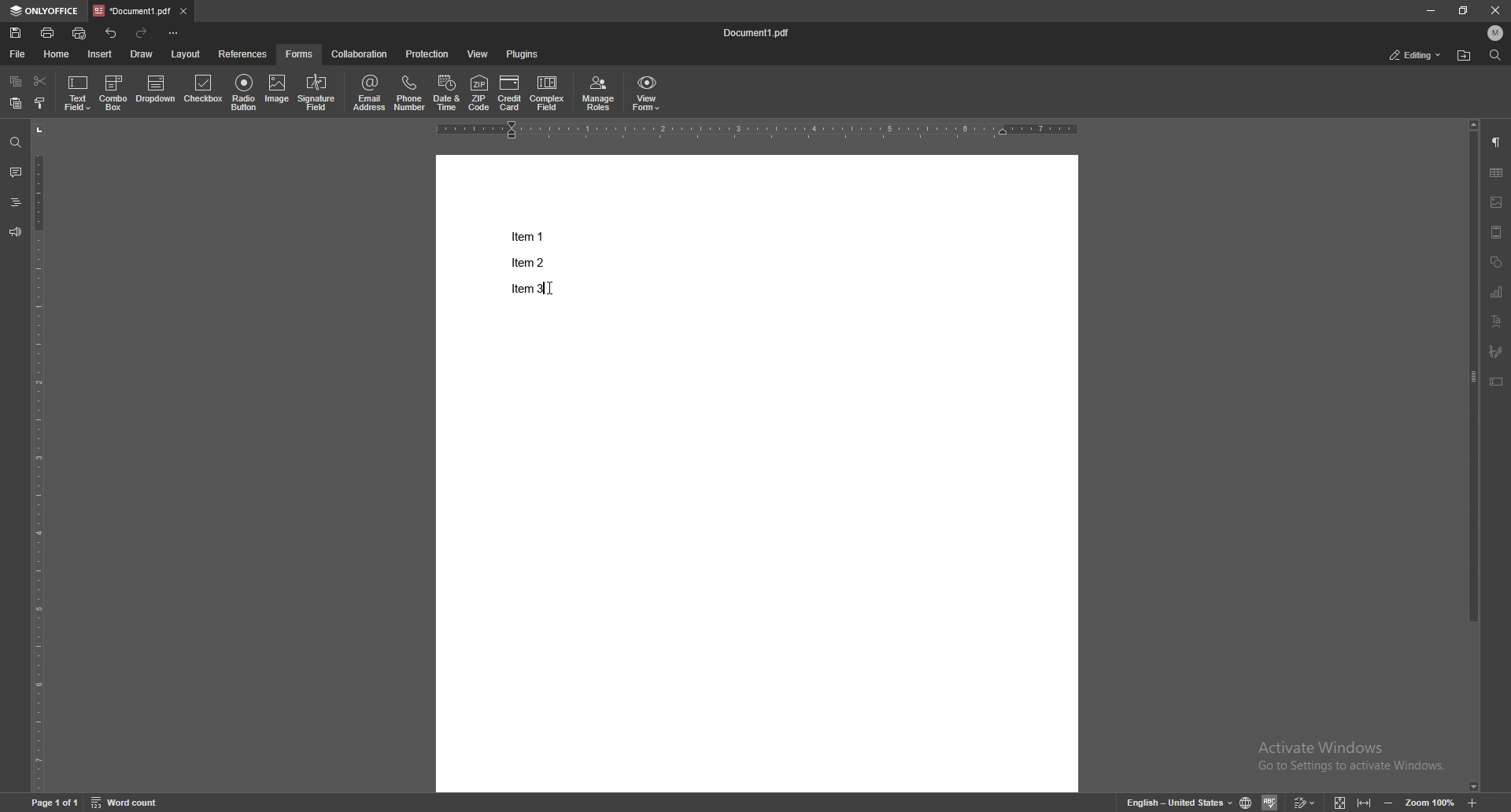  What do you see at coordinates (1497, 142) in the screenshot?
I see `paragraph` at bounding box center [1497, 142].